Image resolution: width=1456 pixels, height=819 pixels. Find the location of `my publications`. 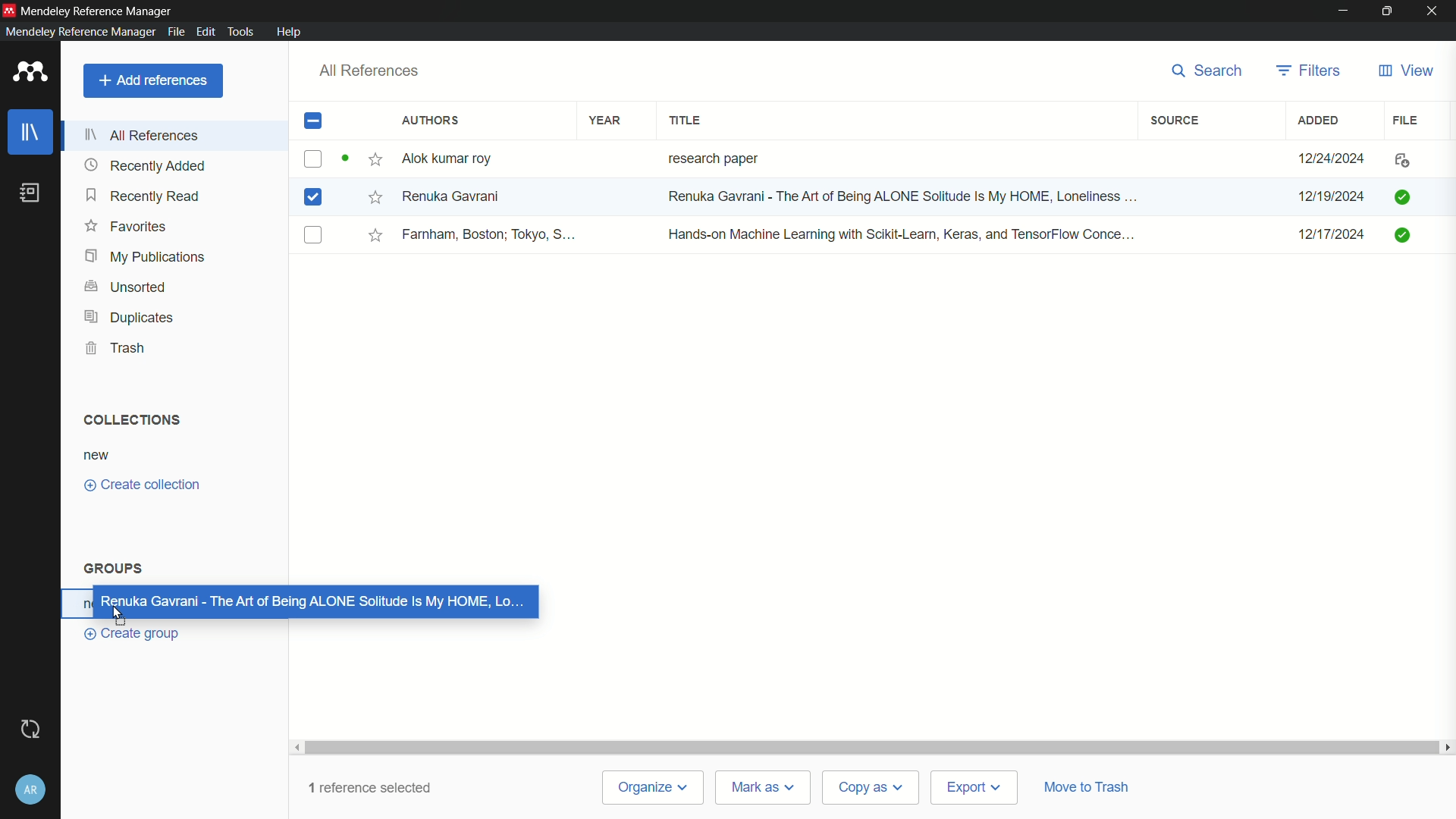

my publications is located at coordinates (146, 256).